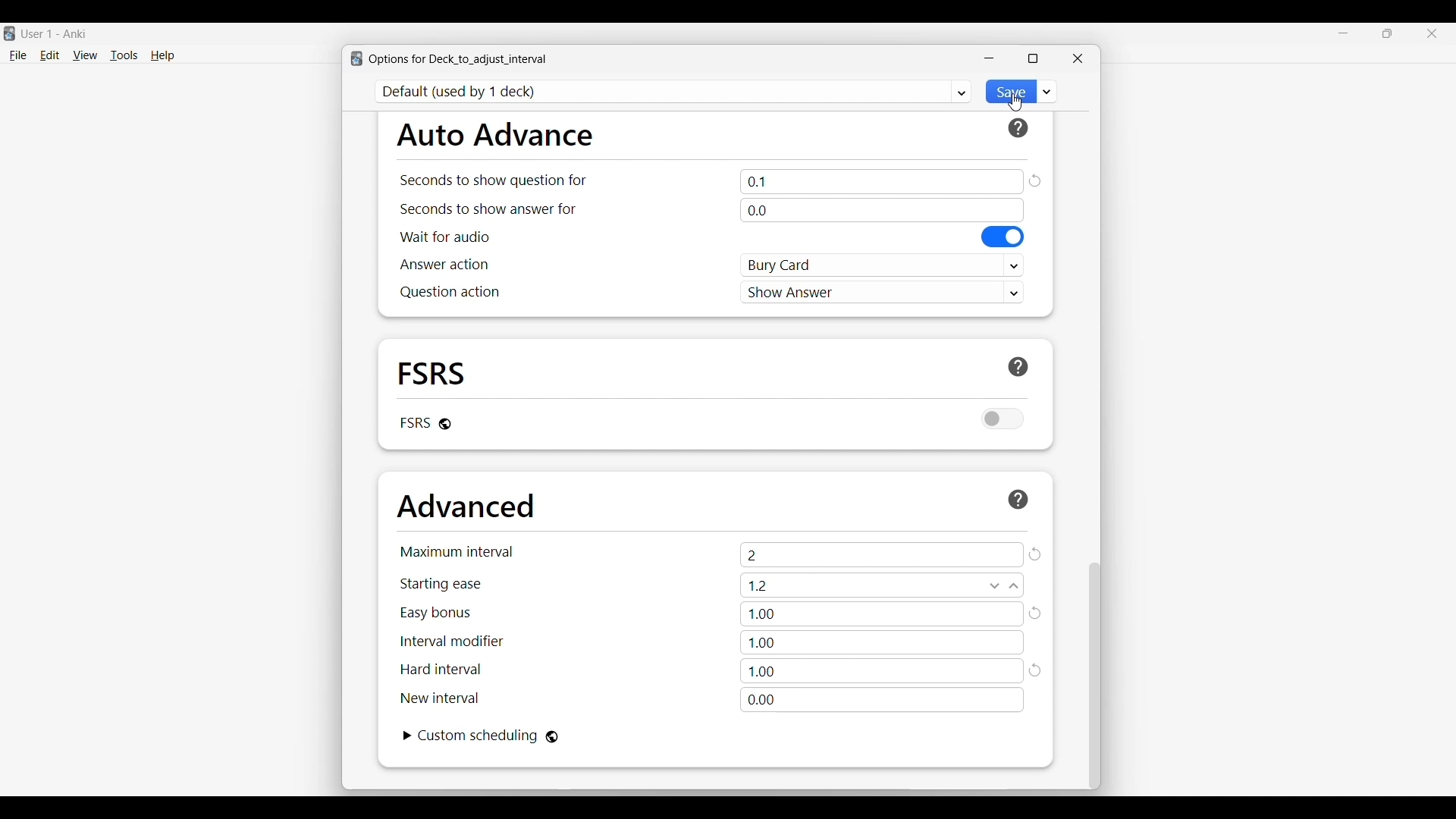 The height and width of the screenshot is (819, 1456). What do you see at coordinates (1003, 419) in the screenshot?
I see `Toggle for FSRS` at bounding box center [1003, 419].